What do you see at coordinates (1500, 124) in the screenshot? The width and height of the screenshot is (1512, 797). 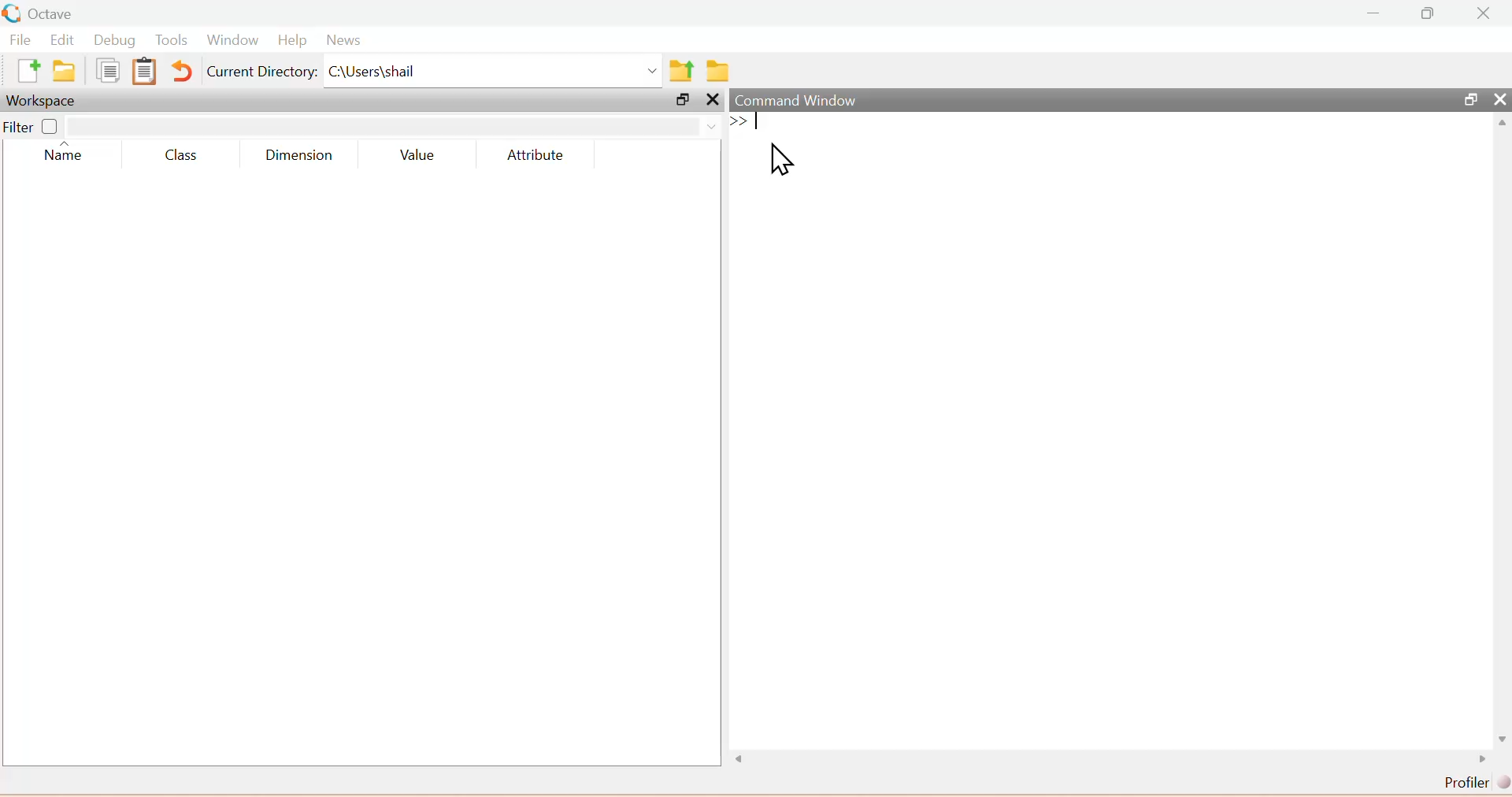 I see `scroll up` at bounding box center [1500, 124].